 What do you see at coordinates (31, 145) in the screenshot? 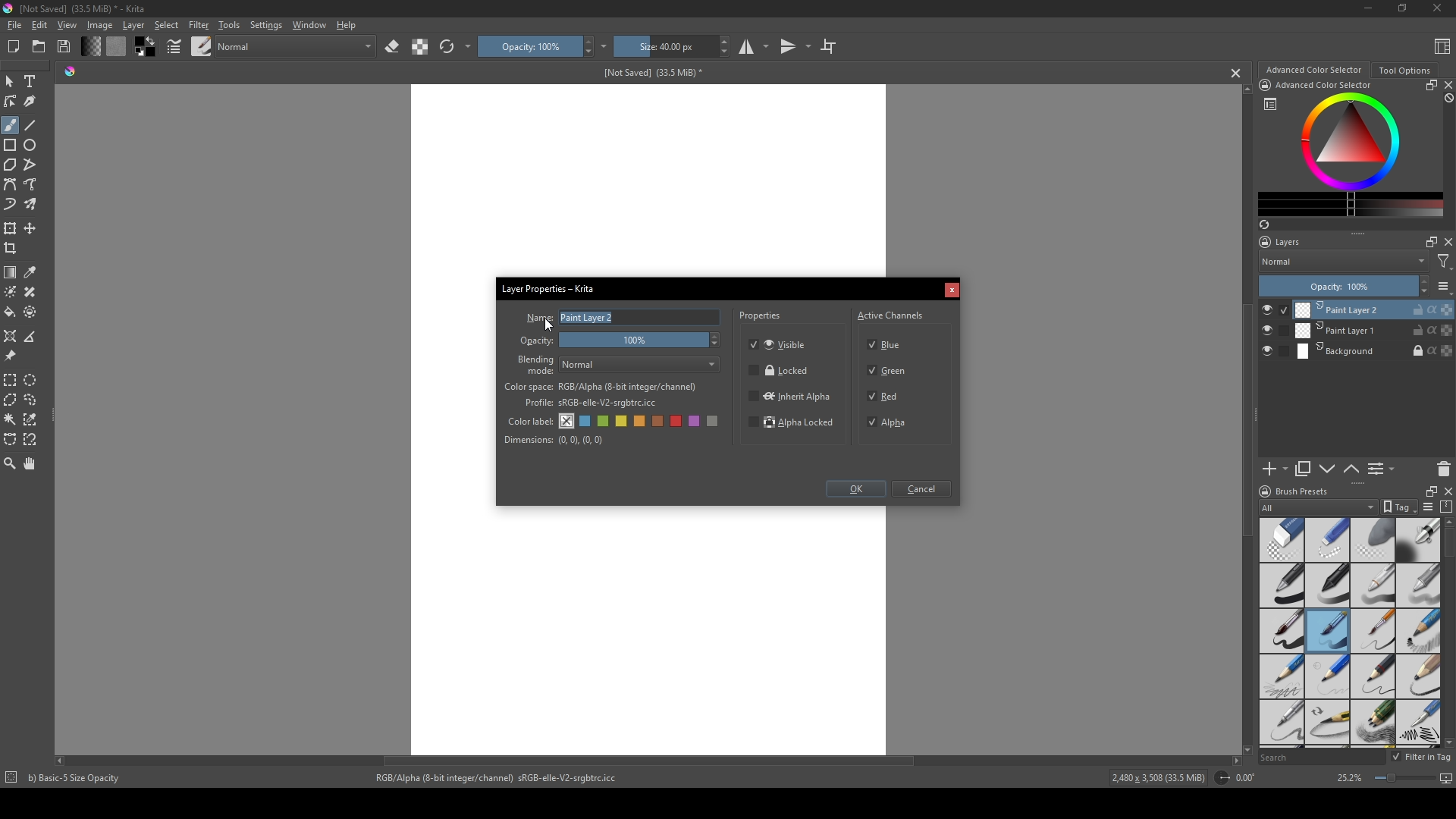
I see `ellipse` at bounding box center [31, 145].